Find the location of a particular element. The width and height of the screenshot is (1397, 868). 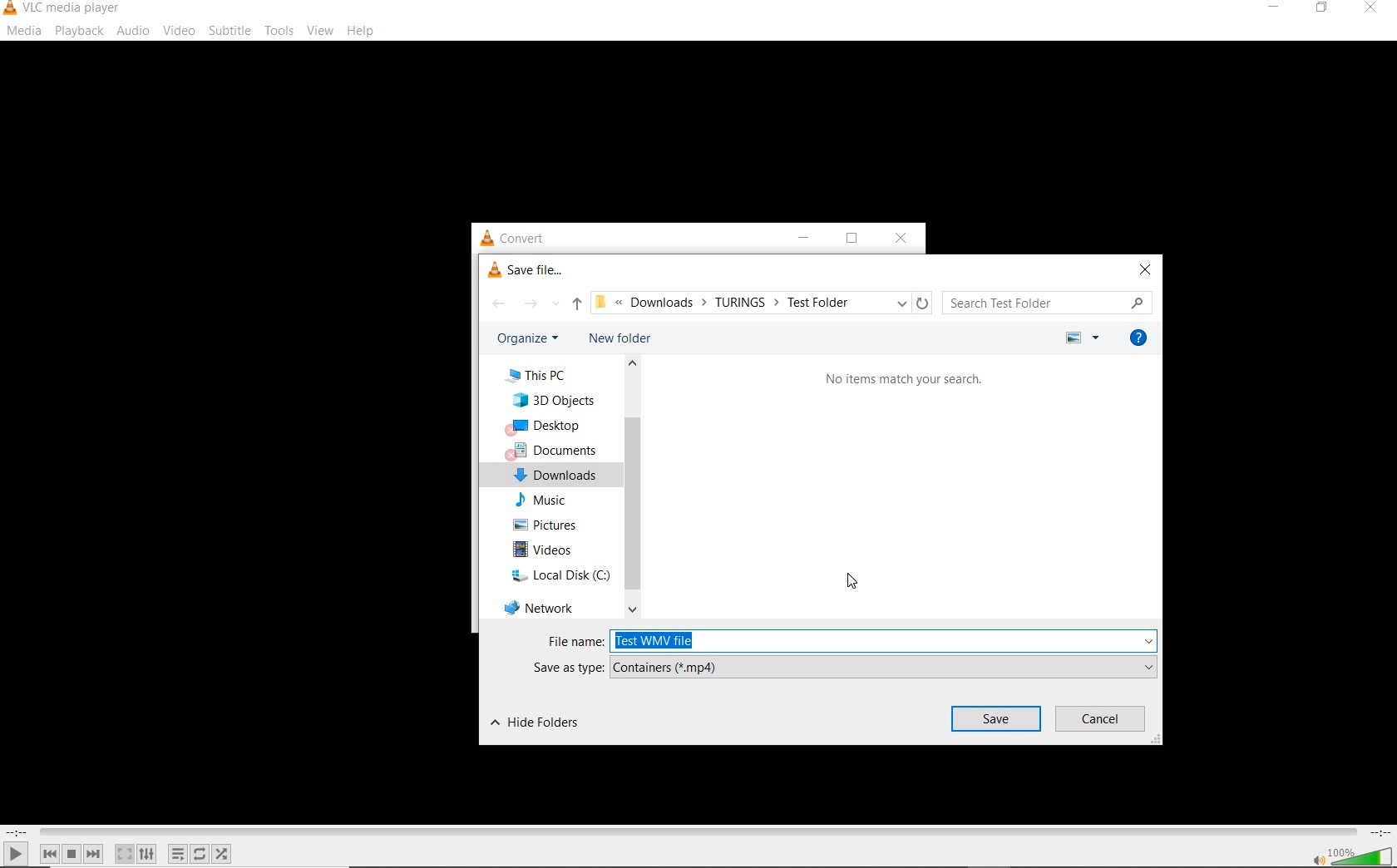

subtitle is located at coordinates (230, 31).